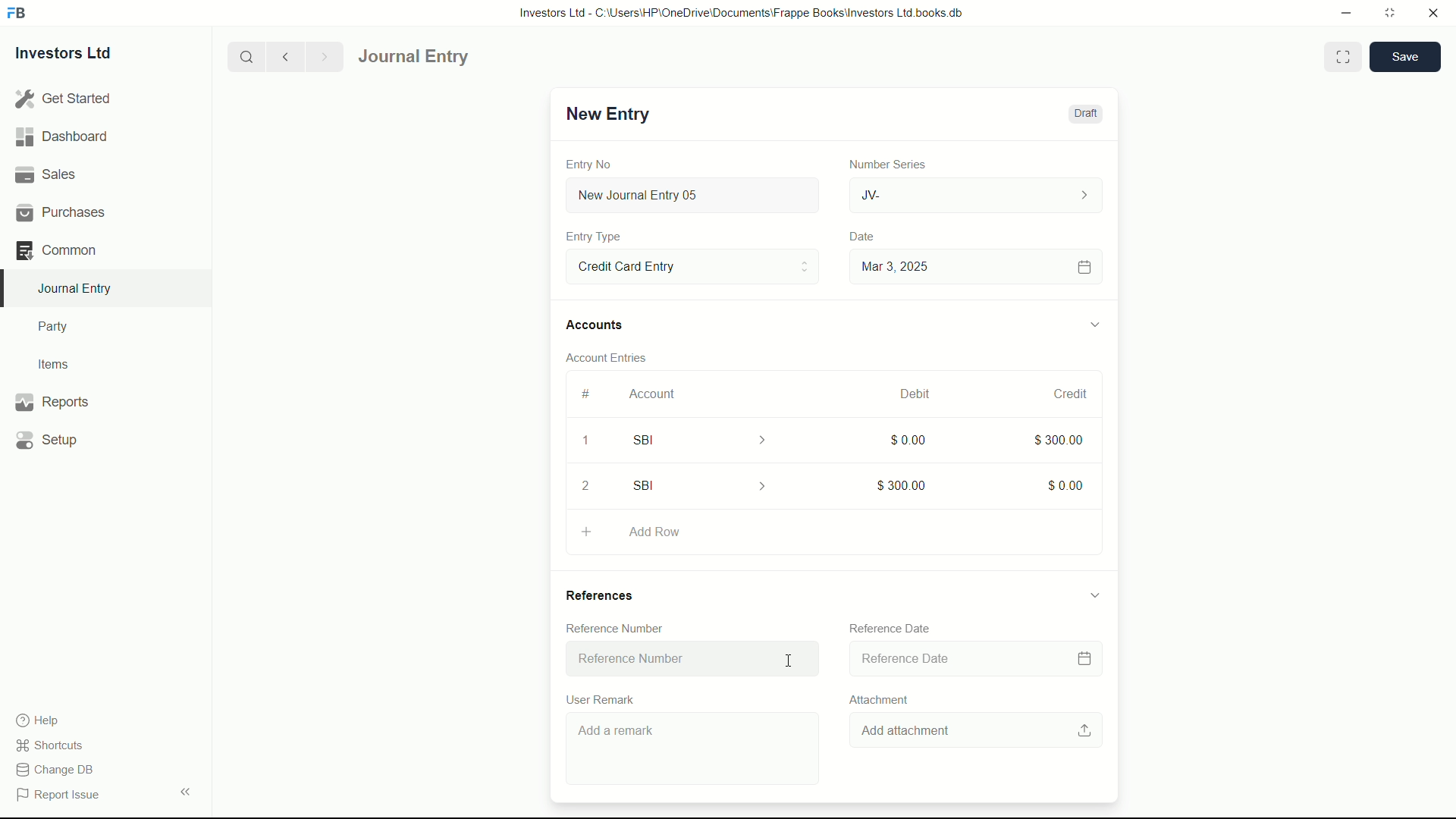 Image resolution: width=1456 pixels, height=819 pixels. I want to click on Mar 3, 2025, so click(974, 266).